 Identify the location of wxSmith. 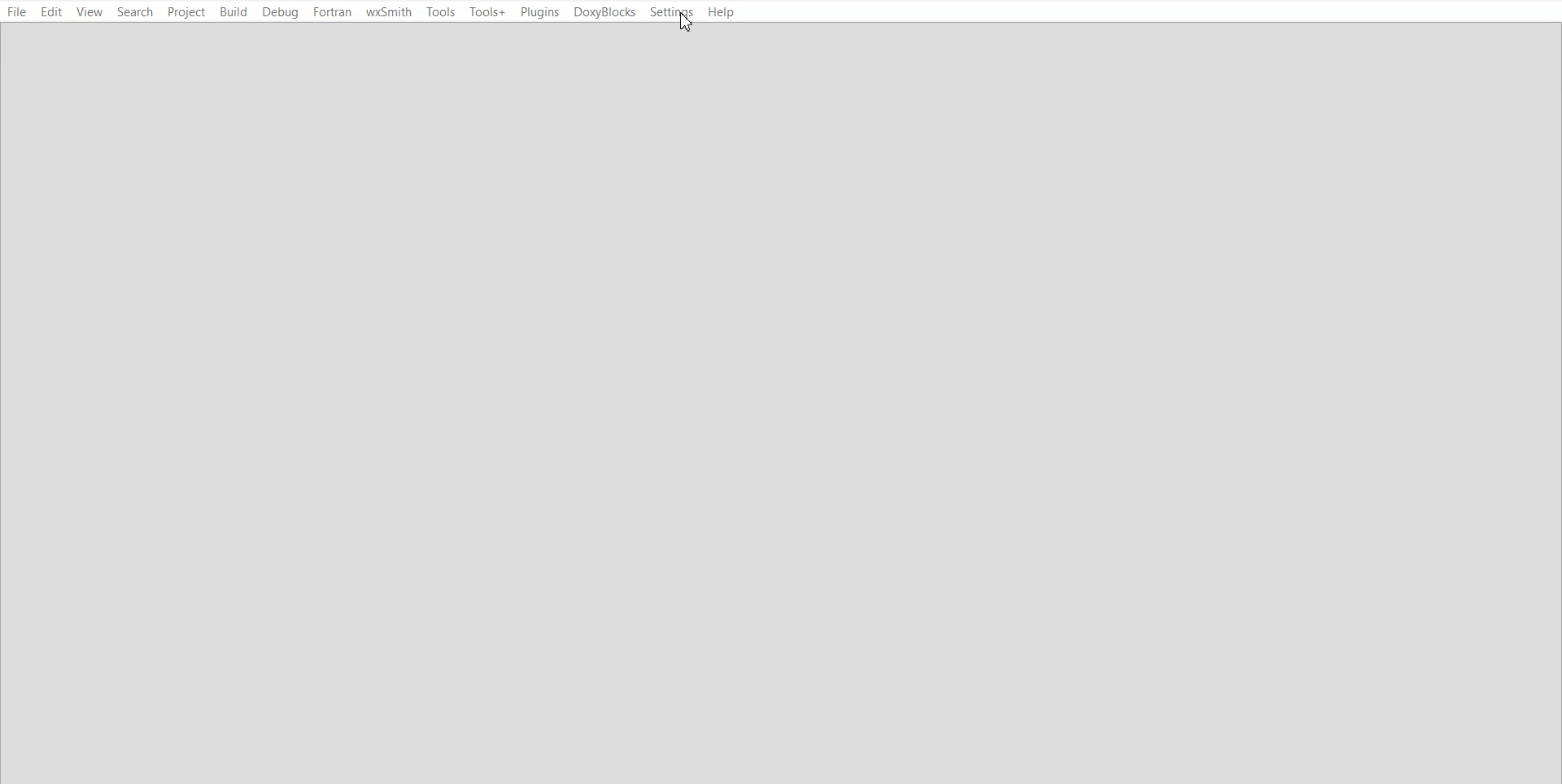
(389, 13).